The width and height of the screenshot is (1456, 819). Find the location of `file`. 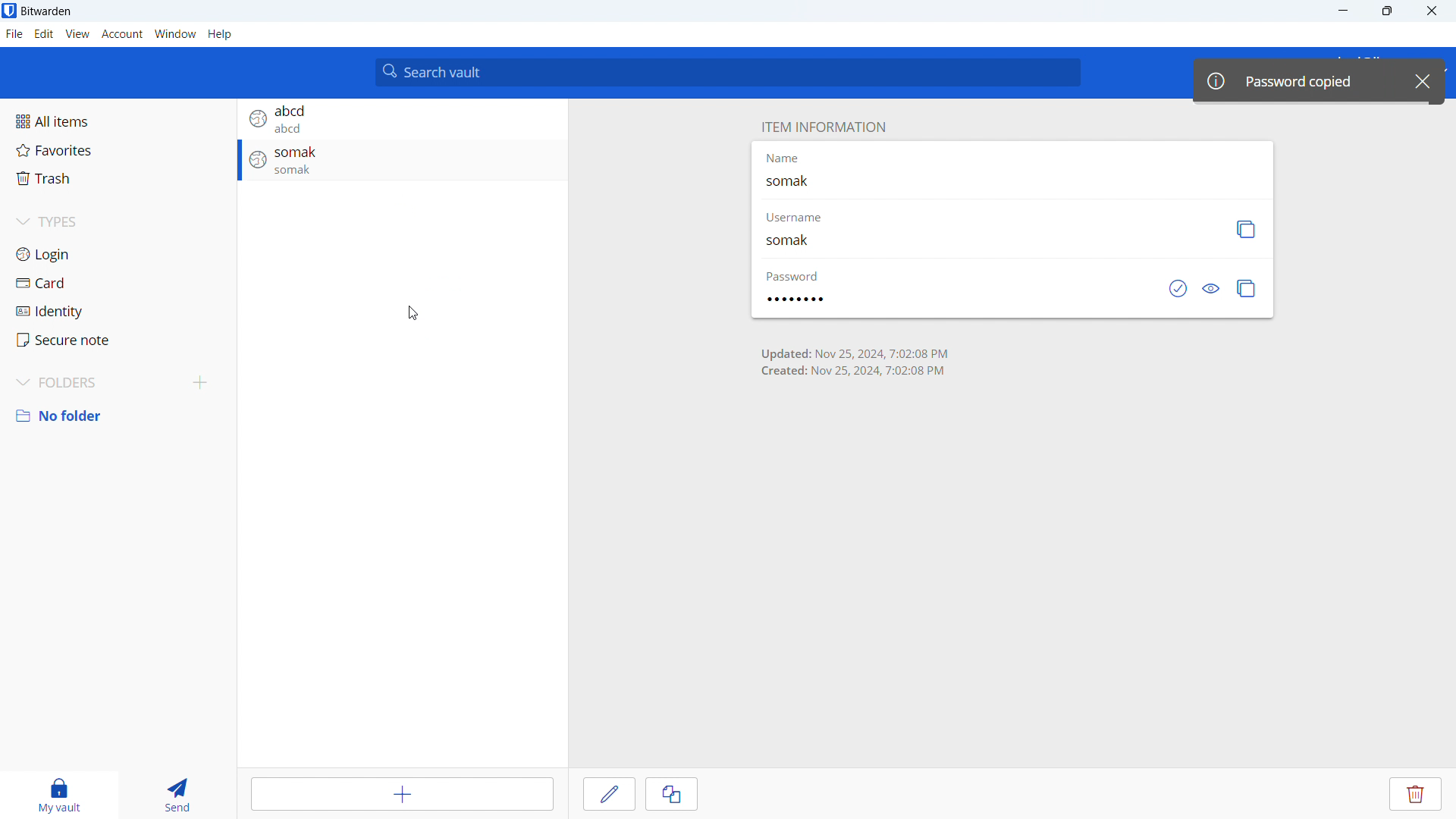

file is located at coordinates (14, 34).